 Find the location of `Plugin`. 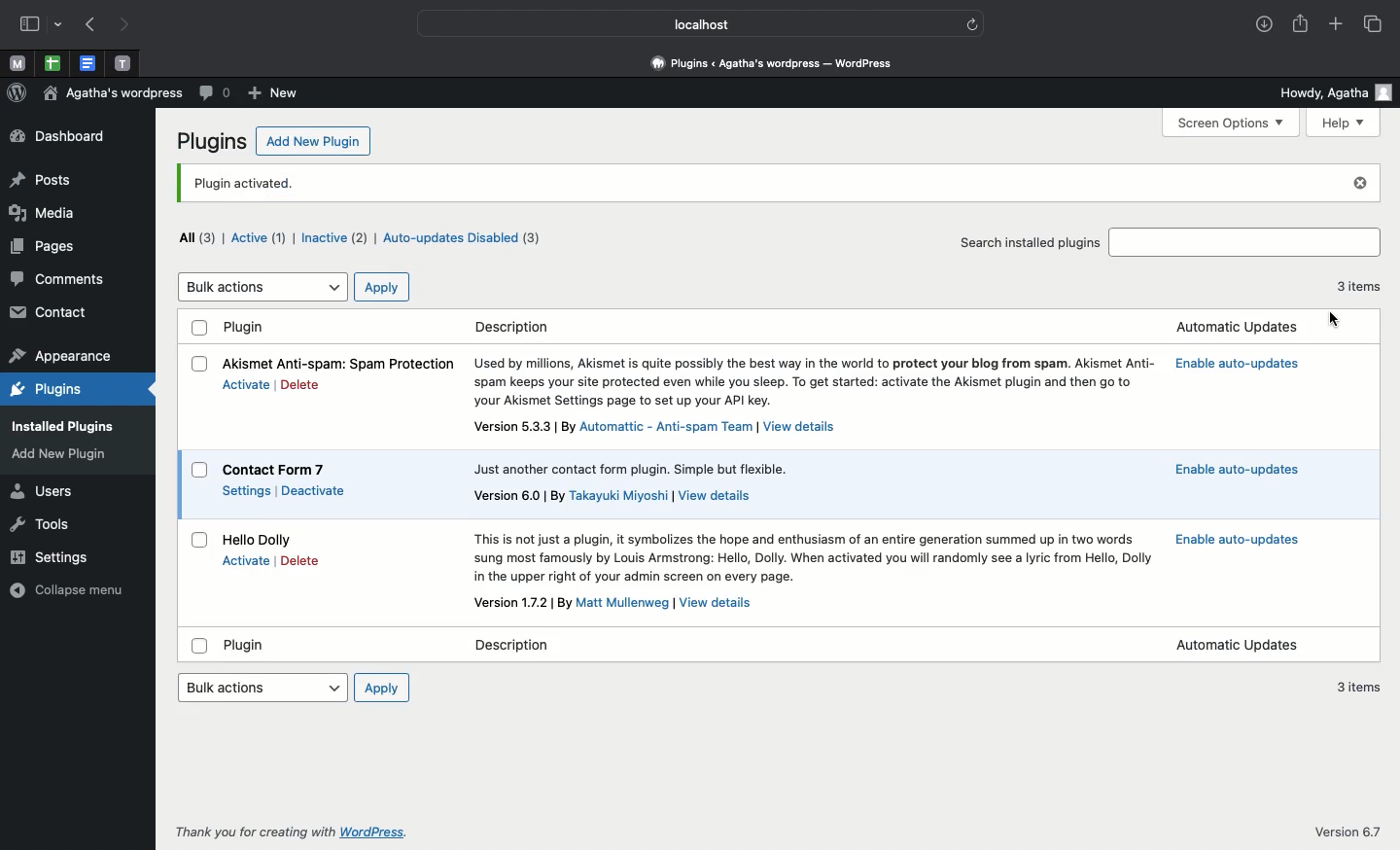

Plugin is located at coordinates (247, 329).